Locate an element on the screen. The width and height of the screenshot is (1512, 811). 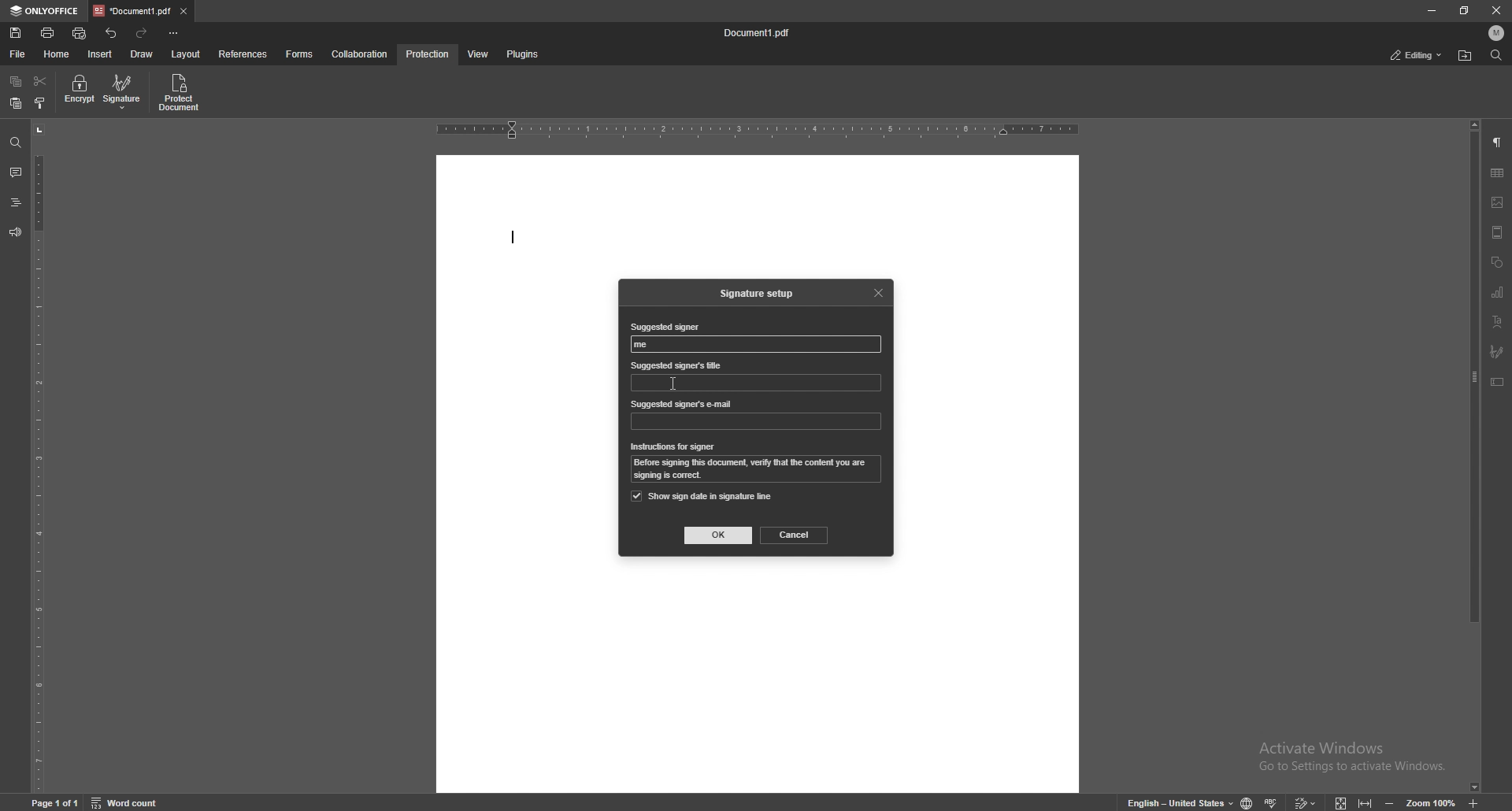
change doc language is located at coordinates (1241, 802).